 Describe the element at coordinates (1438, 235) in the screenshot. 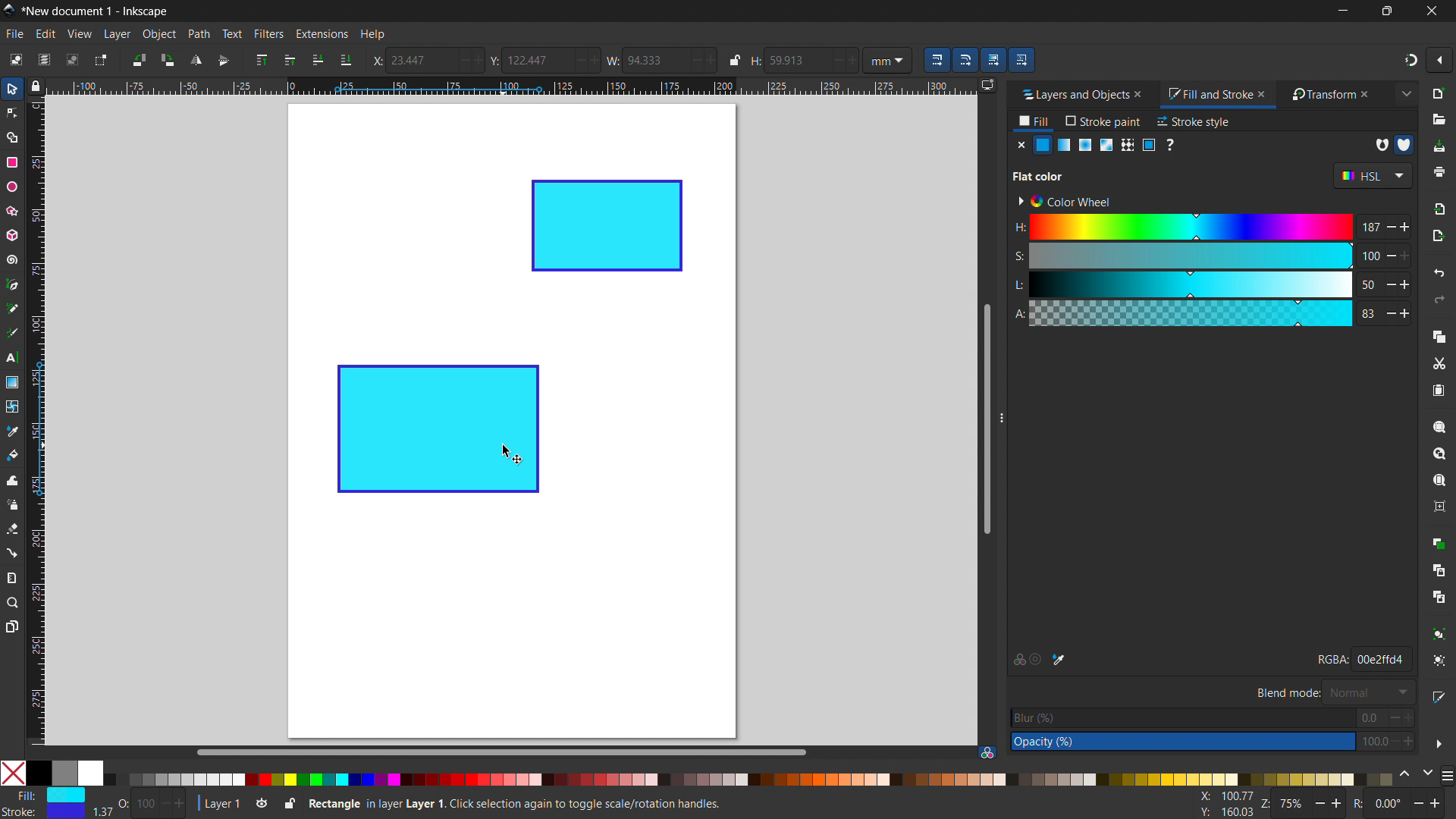

I see `open export` at that location.